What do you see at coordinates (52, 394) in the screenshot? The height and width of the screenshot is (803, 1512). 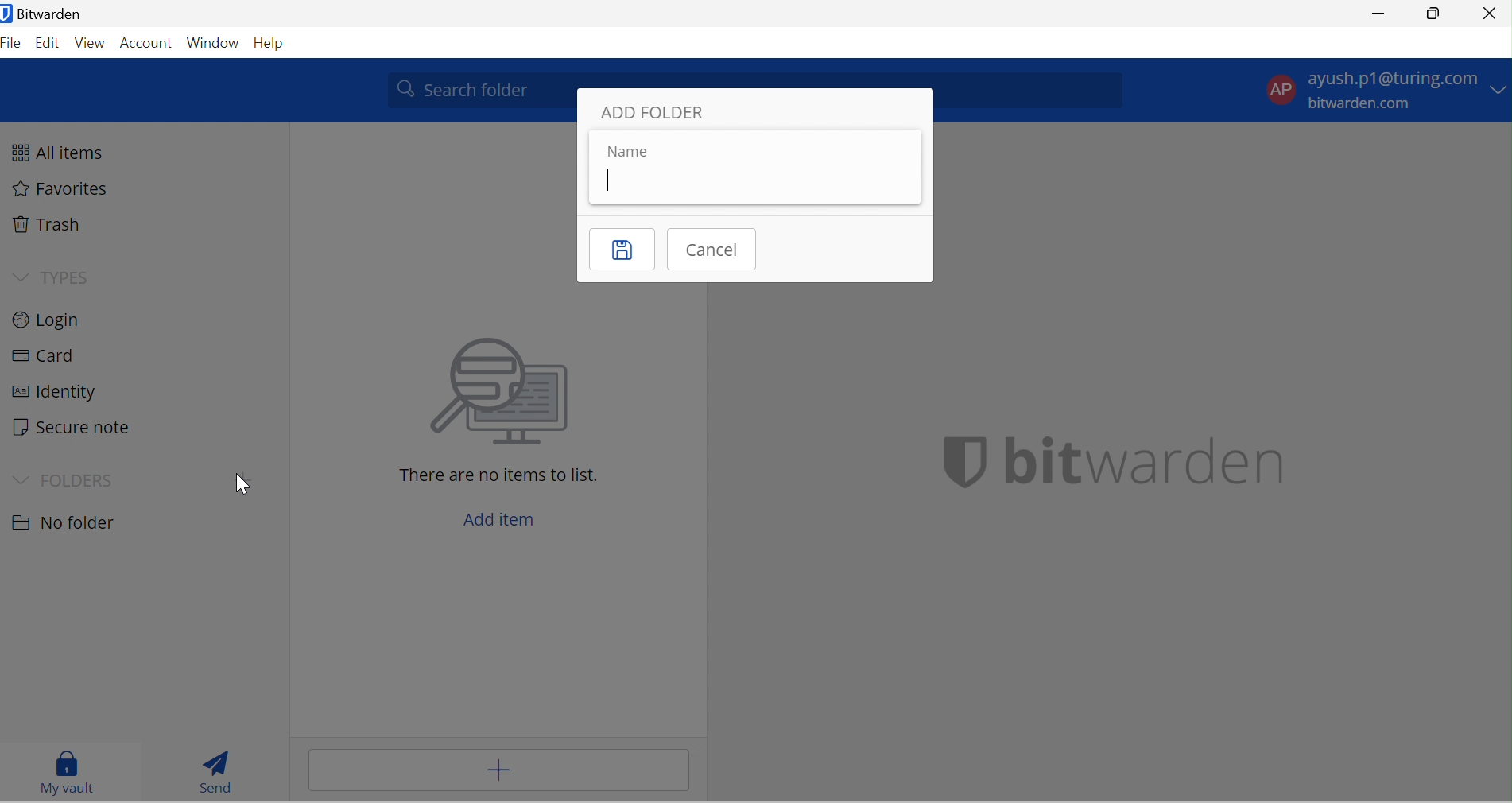 I see `Identity` at bounding box center [52, 394].